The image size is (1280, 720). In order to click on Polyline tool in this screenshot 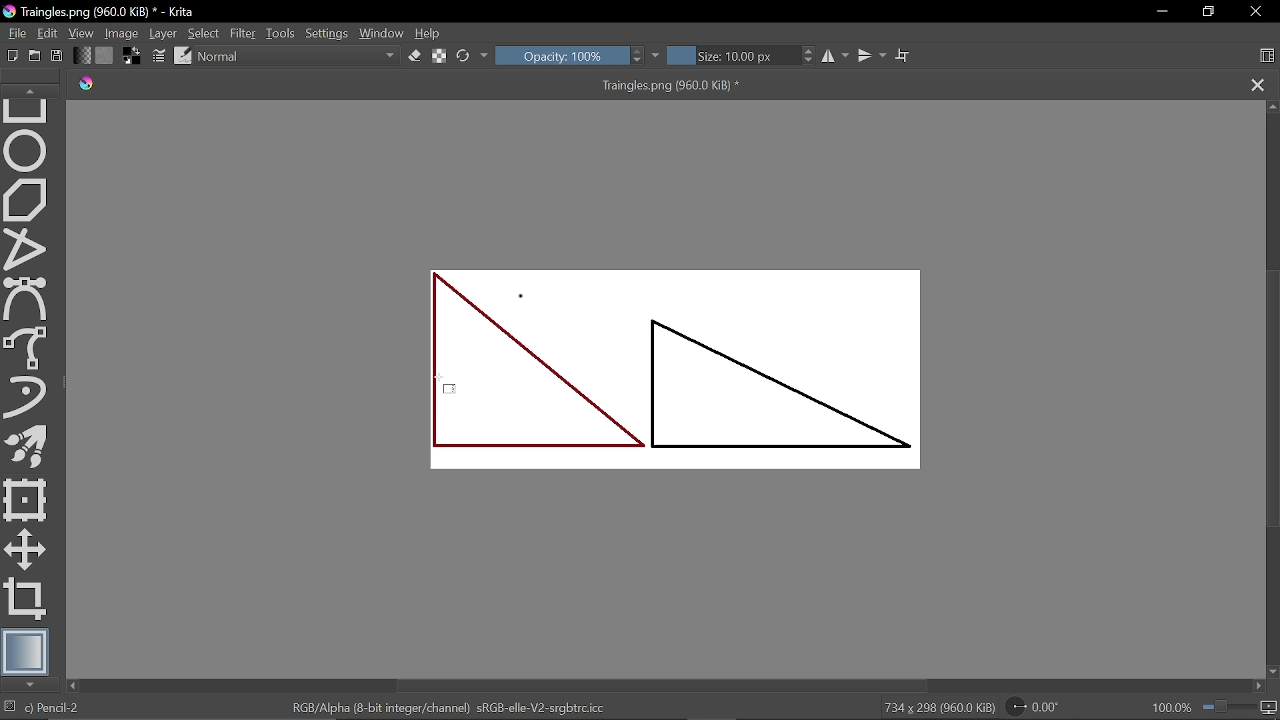, I will do `click(26, 251)`.